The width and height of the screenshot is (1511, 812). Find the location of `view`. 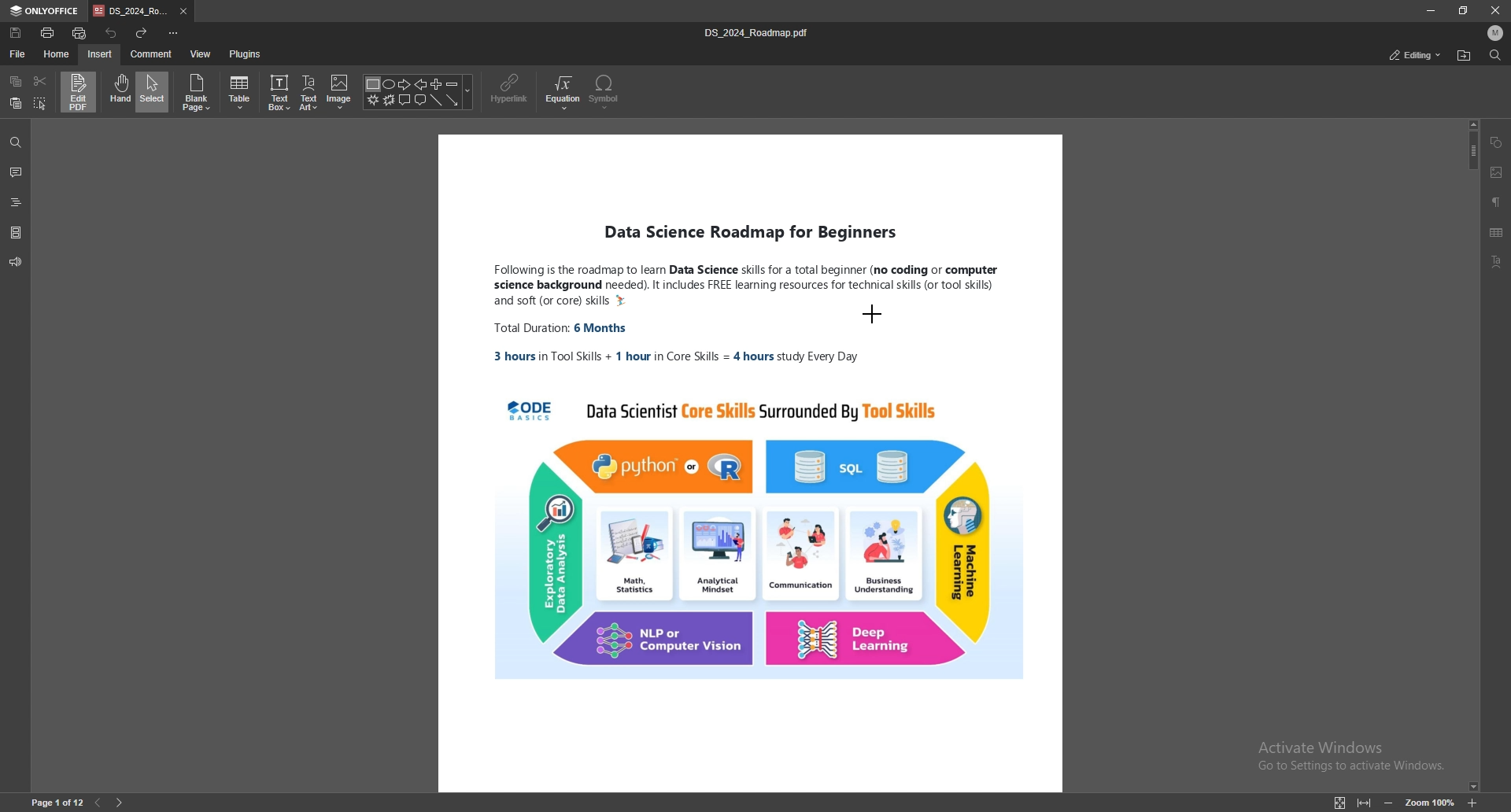

view is located at coordinates (201, 54).